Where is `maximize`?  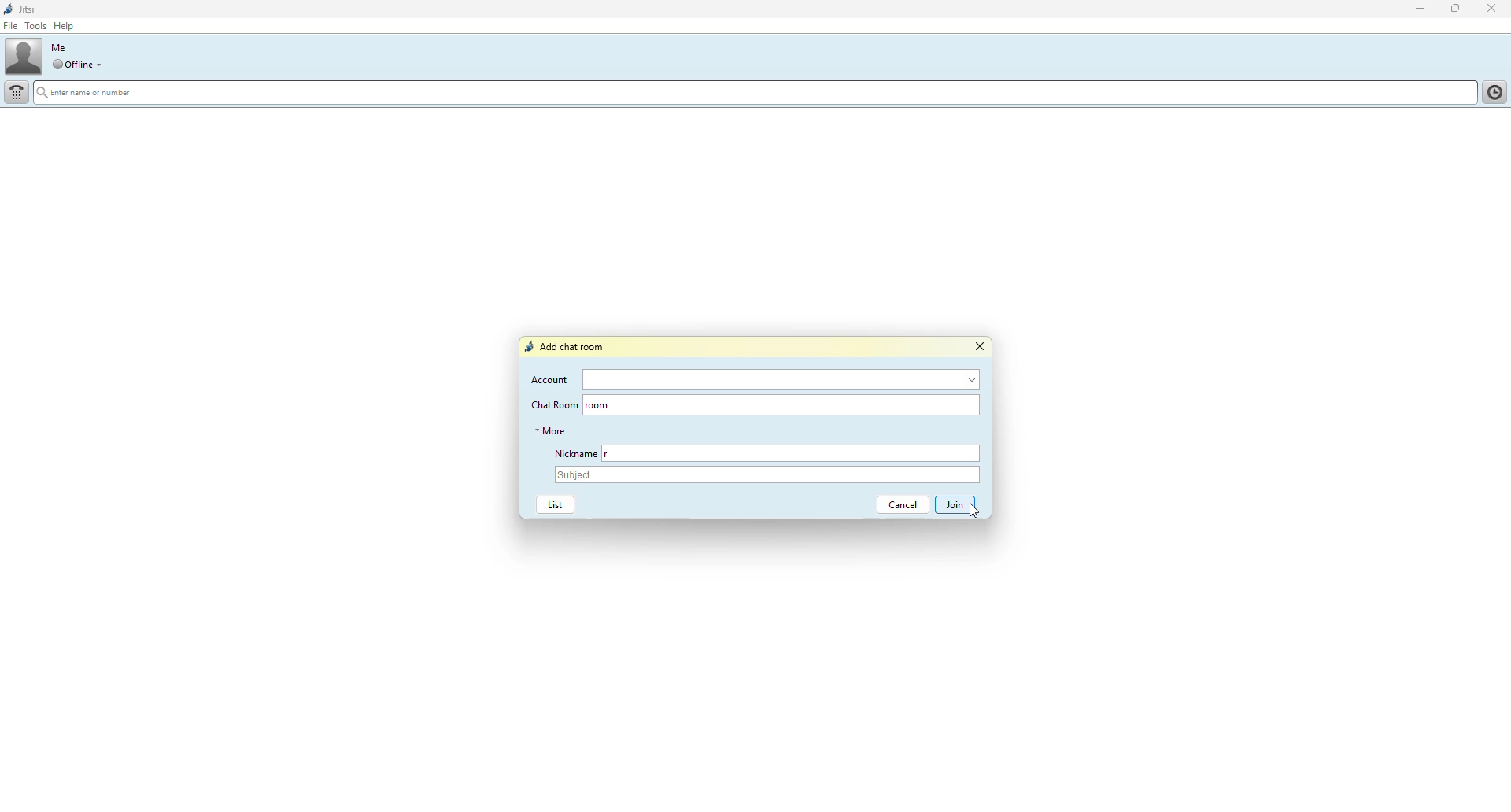 maximize is located at coordinates (1454, 9).